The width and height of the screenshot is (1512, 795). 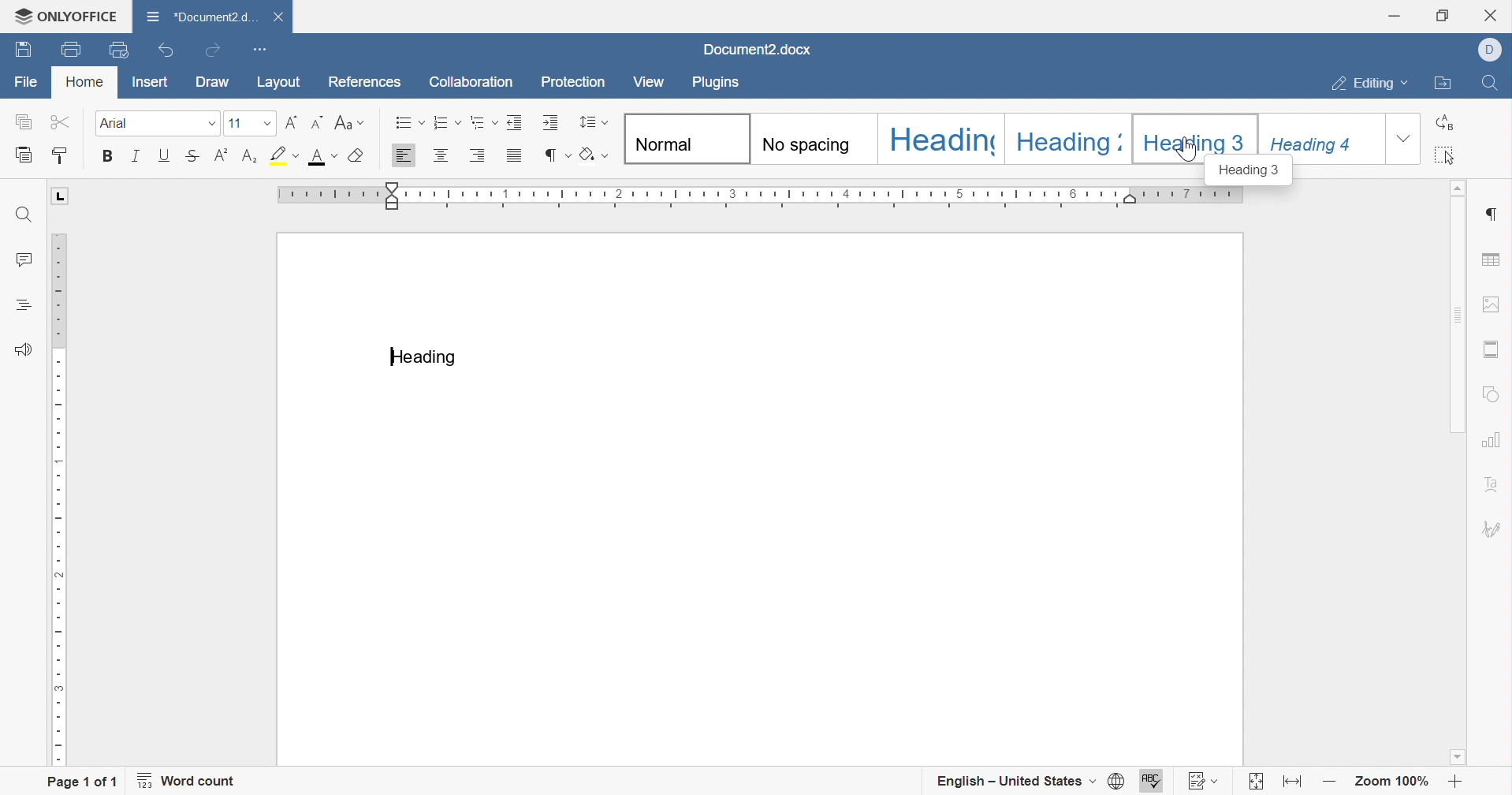 What do you see at coordinates (23, 121) in the screenshot?
I see `Copy` at bounding box center [23, 121].